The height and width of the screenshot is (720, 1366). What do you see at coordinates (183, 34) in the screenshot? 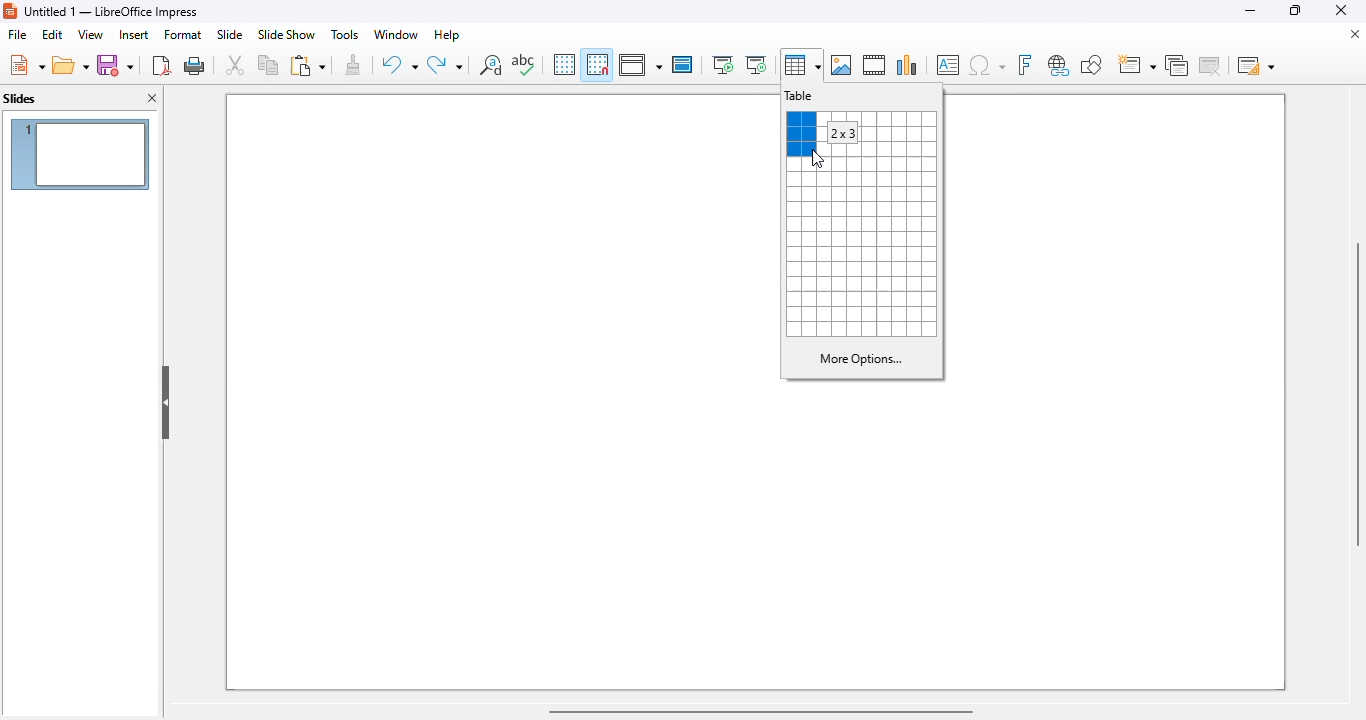
I see `format` at bounding box center [183, 34].